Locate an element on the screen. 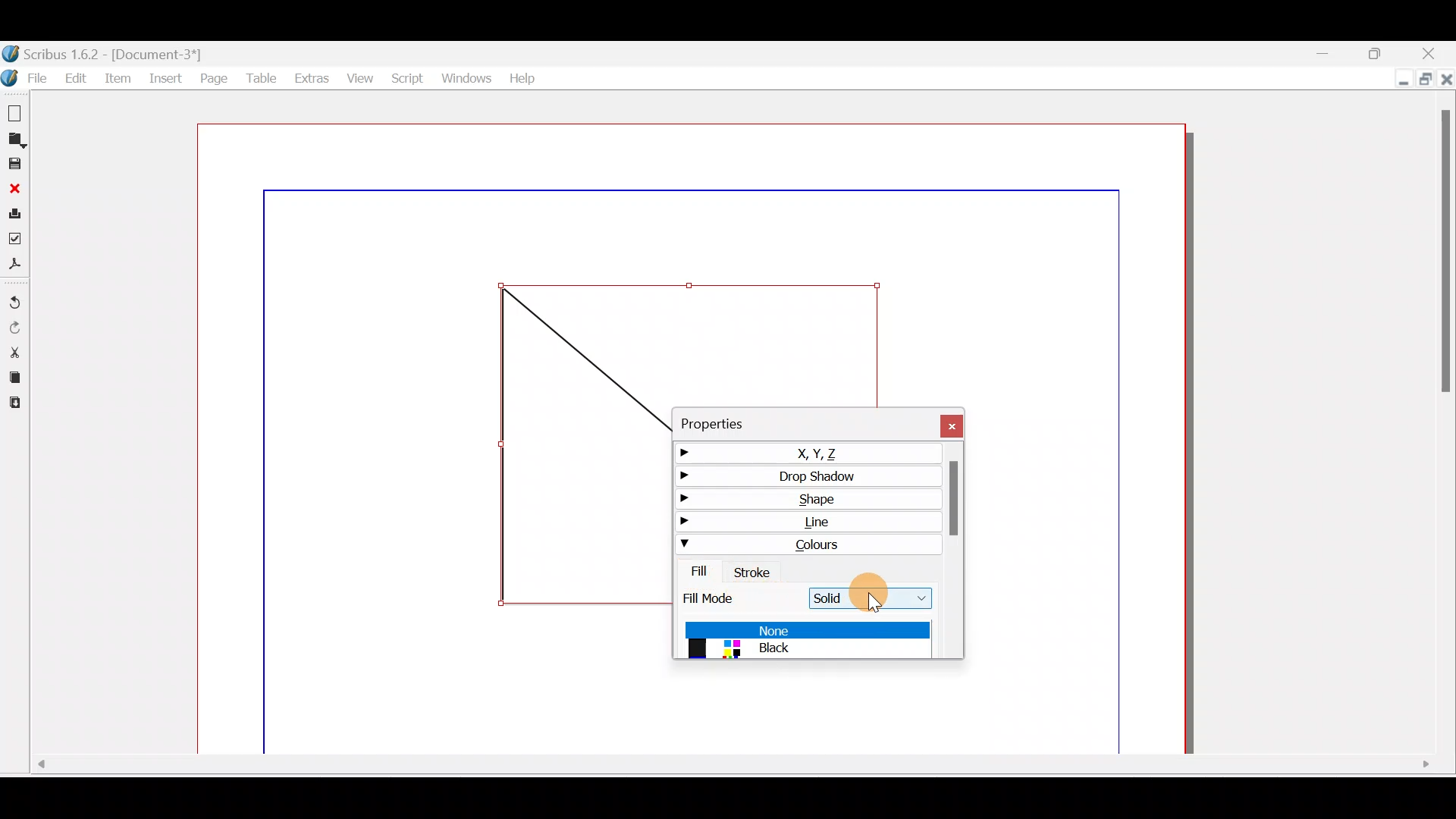 The height and width of the screenshot is (819, 1456). Minimise is located at coordinates (1395, 81).